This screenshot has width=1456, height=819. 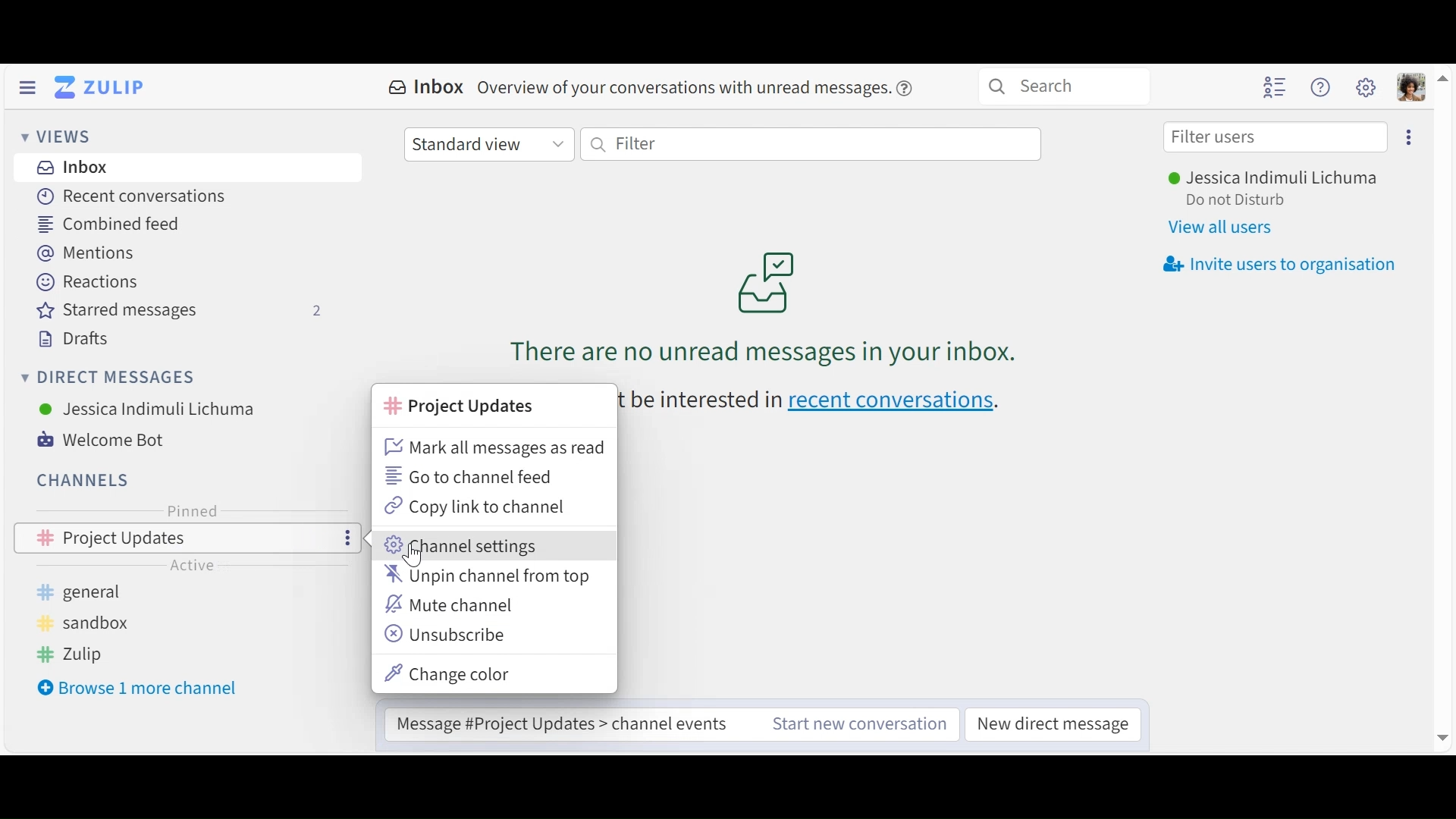 I want to click on Do not Disturb, so click(x=1235, y=201).